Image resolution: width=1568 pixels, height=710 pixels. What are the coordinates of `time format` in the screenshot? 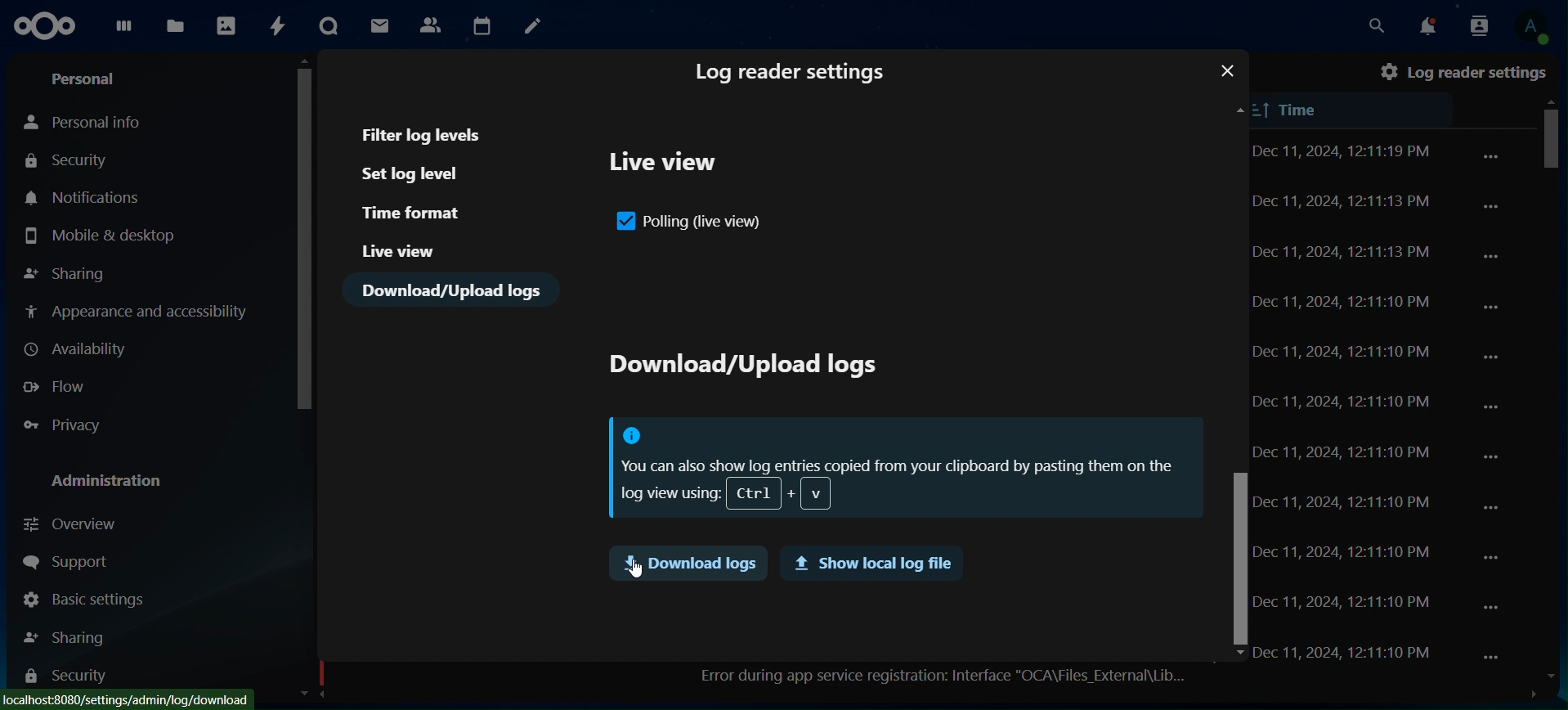 It's located at (414, 213).